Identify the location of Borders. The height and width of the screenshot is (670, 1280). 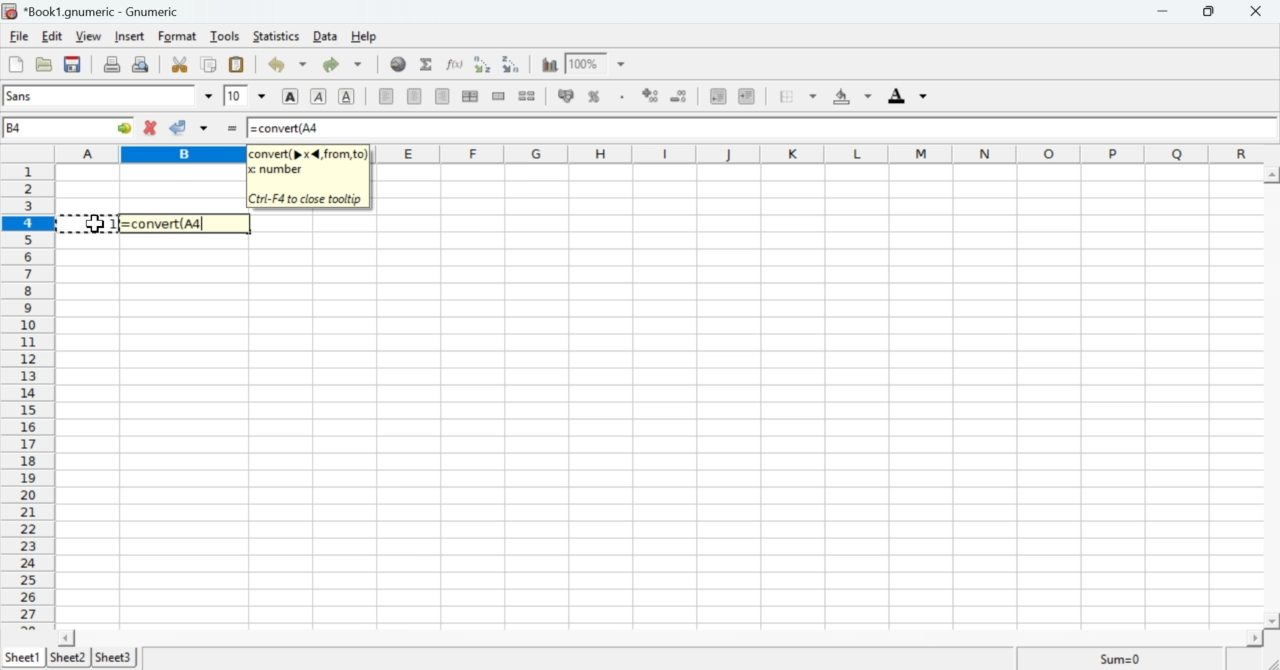
(797, 97).